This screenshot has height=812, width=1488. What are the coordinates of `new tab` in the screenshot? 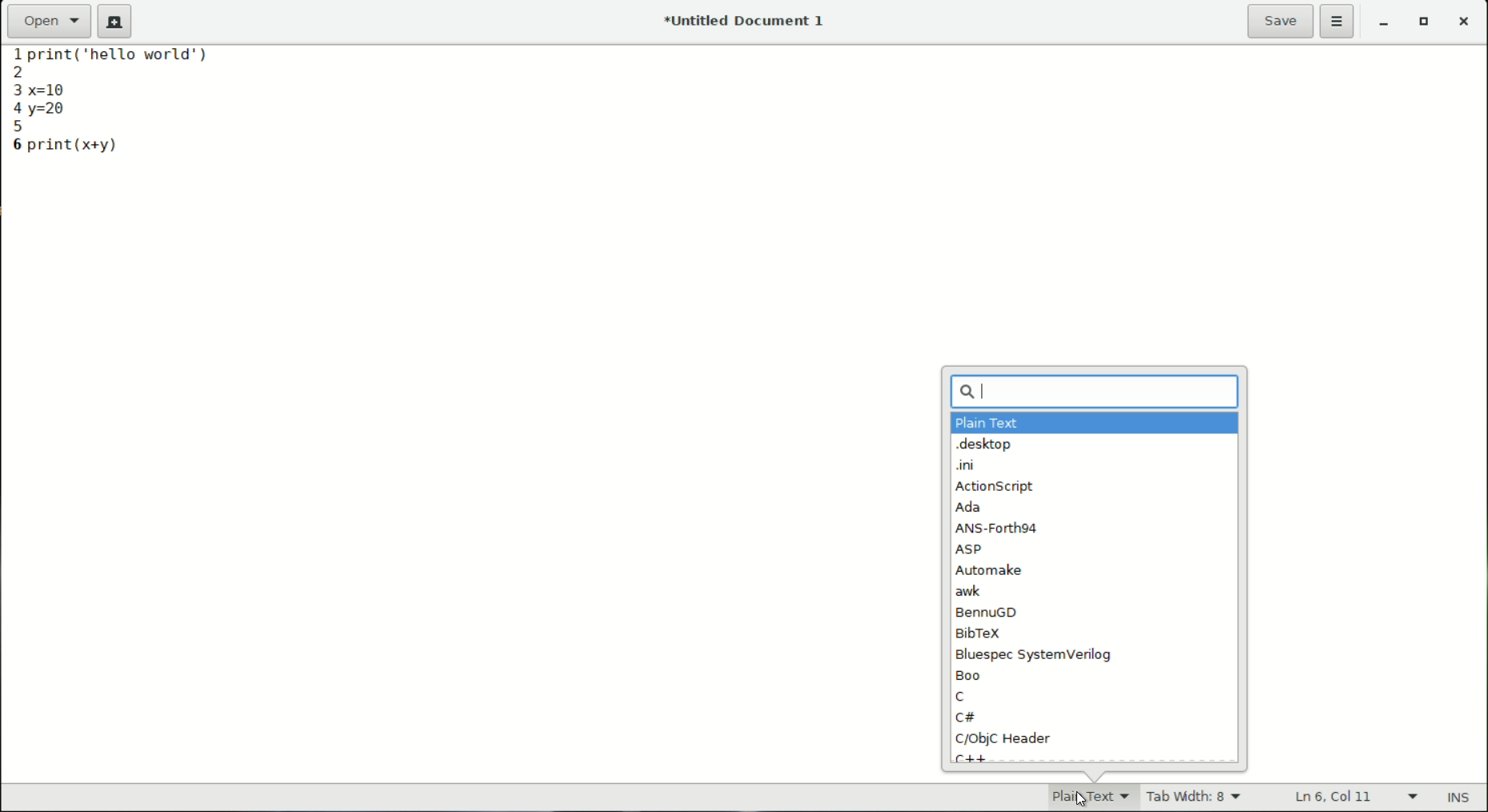 It's located at (115, 22).